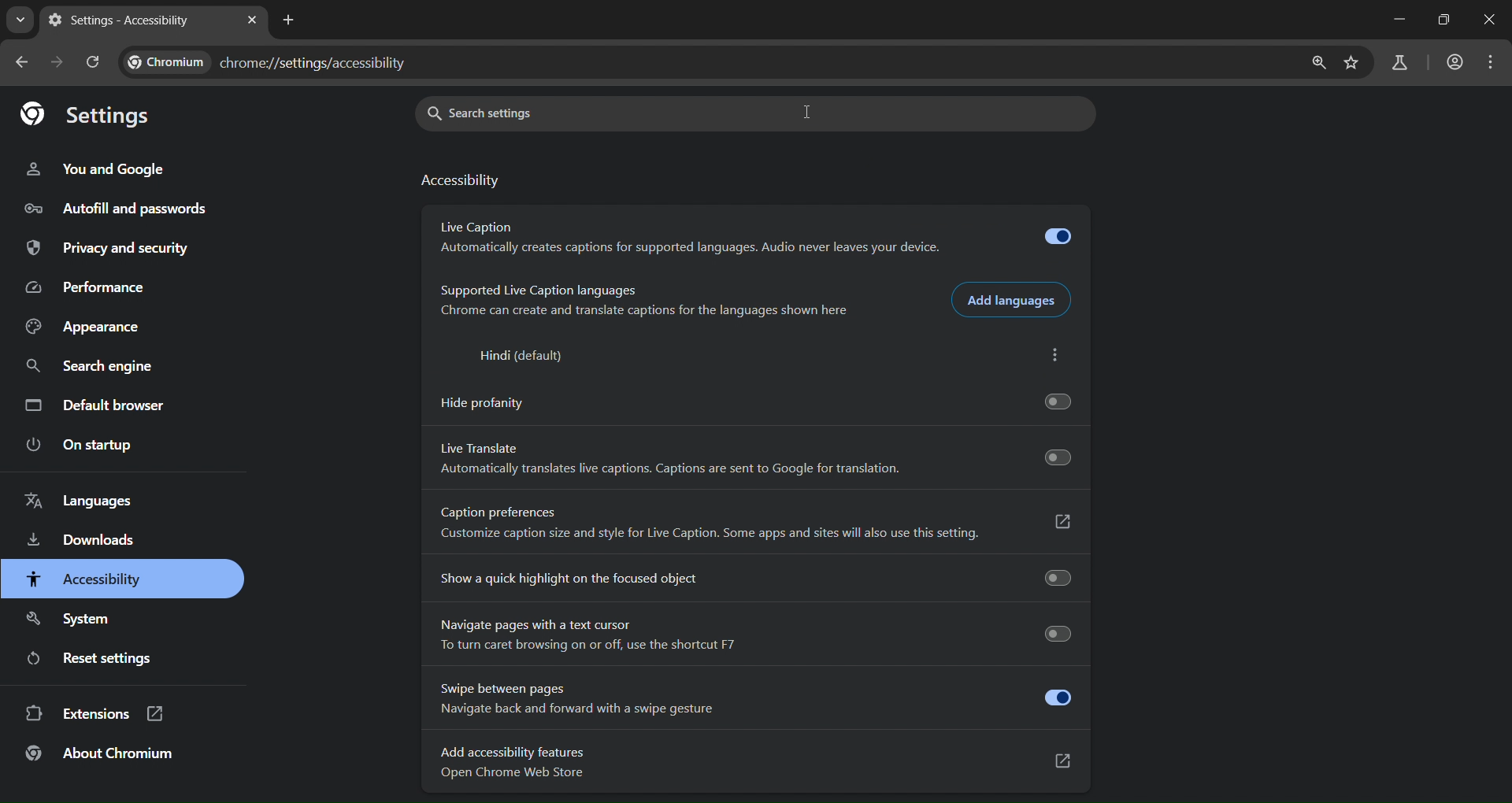 This screenshot has width=1512, height=803. I want to click on you and google, so click(109, 168).